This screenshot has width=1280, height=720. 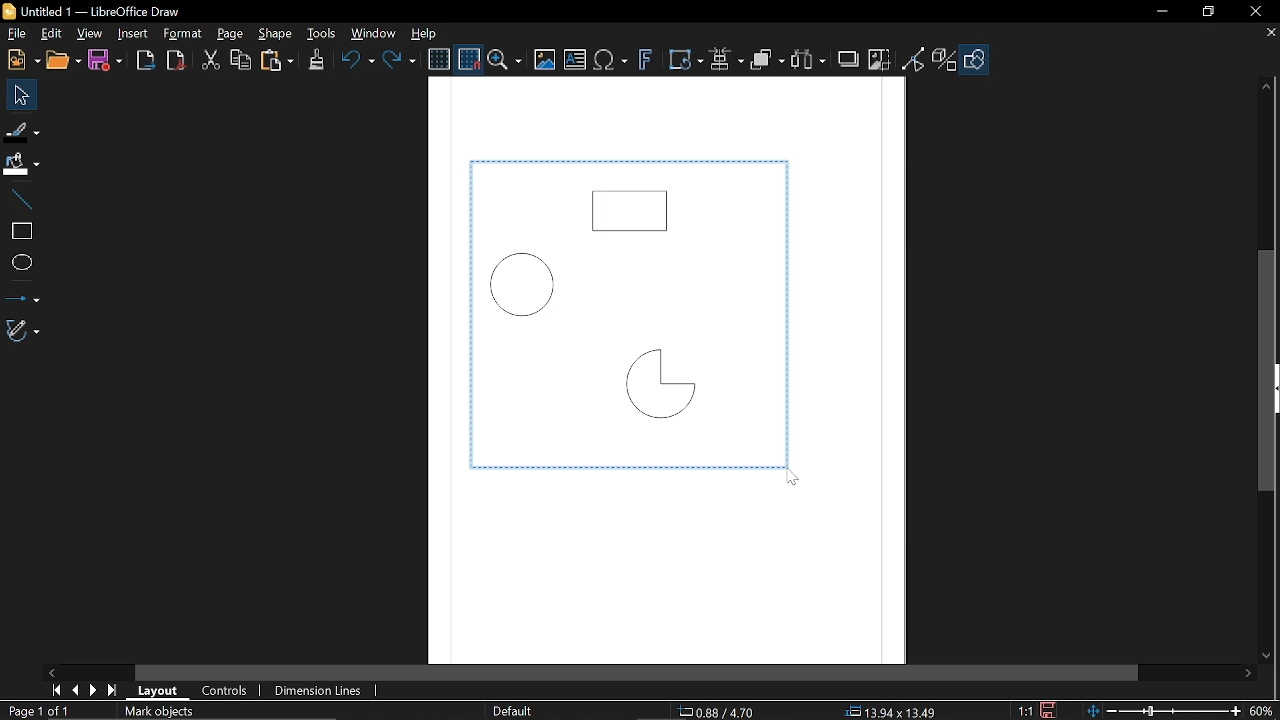 What do you see at coordinates (87, 35) in the screenshot?
I see `View` at bounding box center [87, 35].